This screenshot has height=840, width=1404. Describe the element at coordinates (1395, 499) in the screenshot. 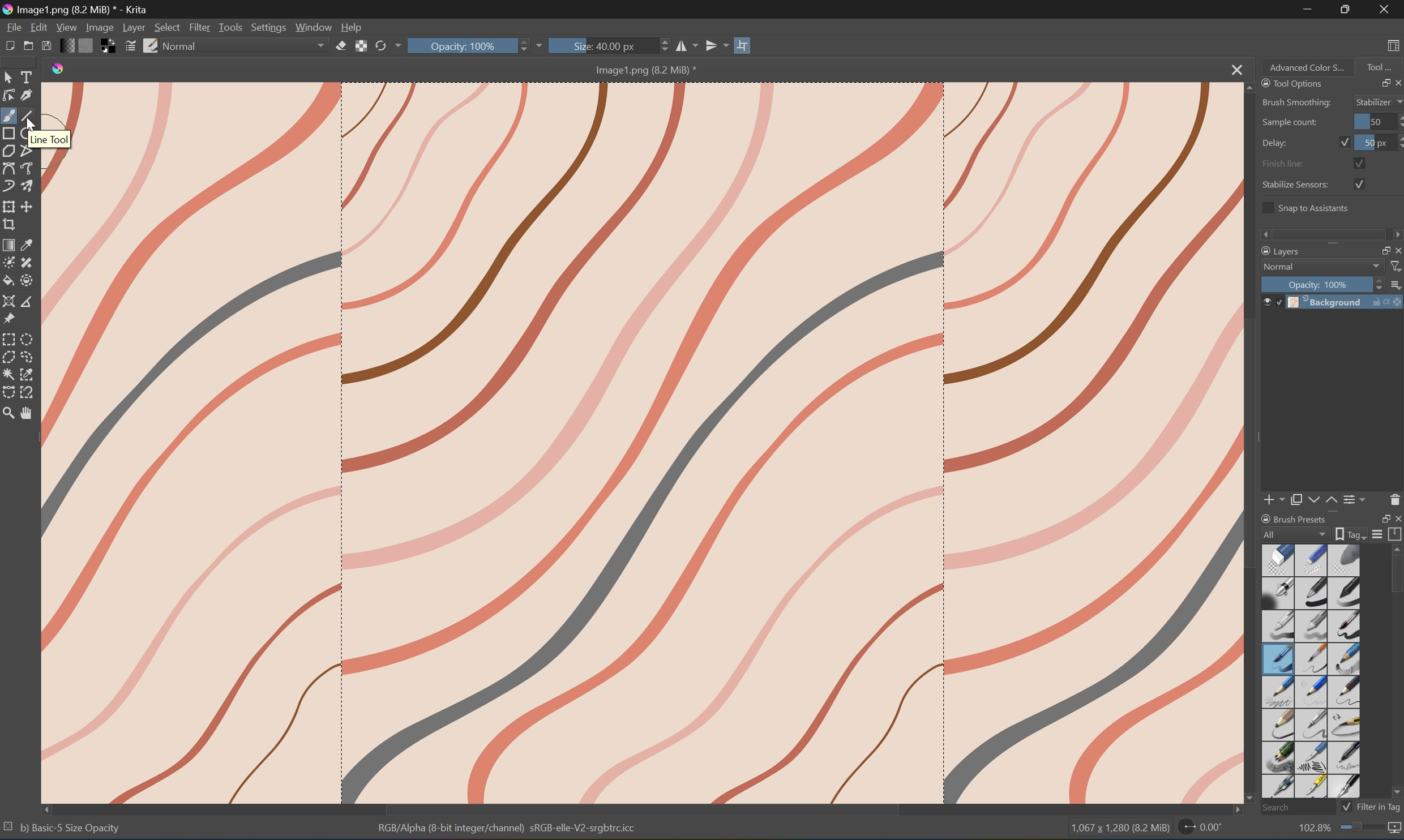

I see `Delete` at that location.